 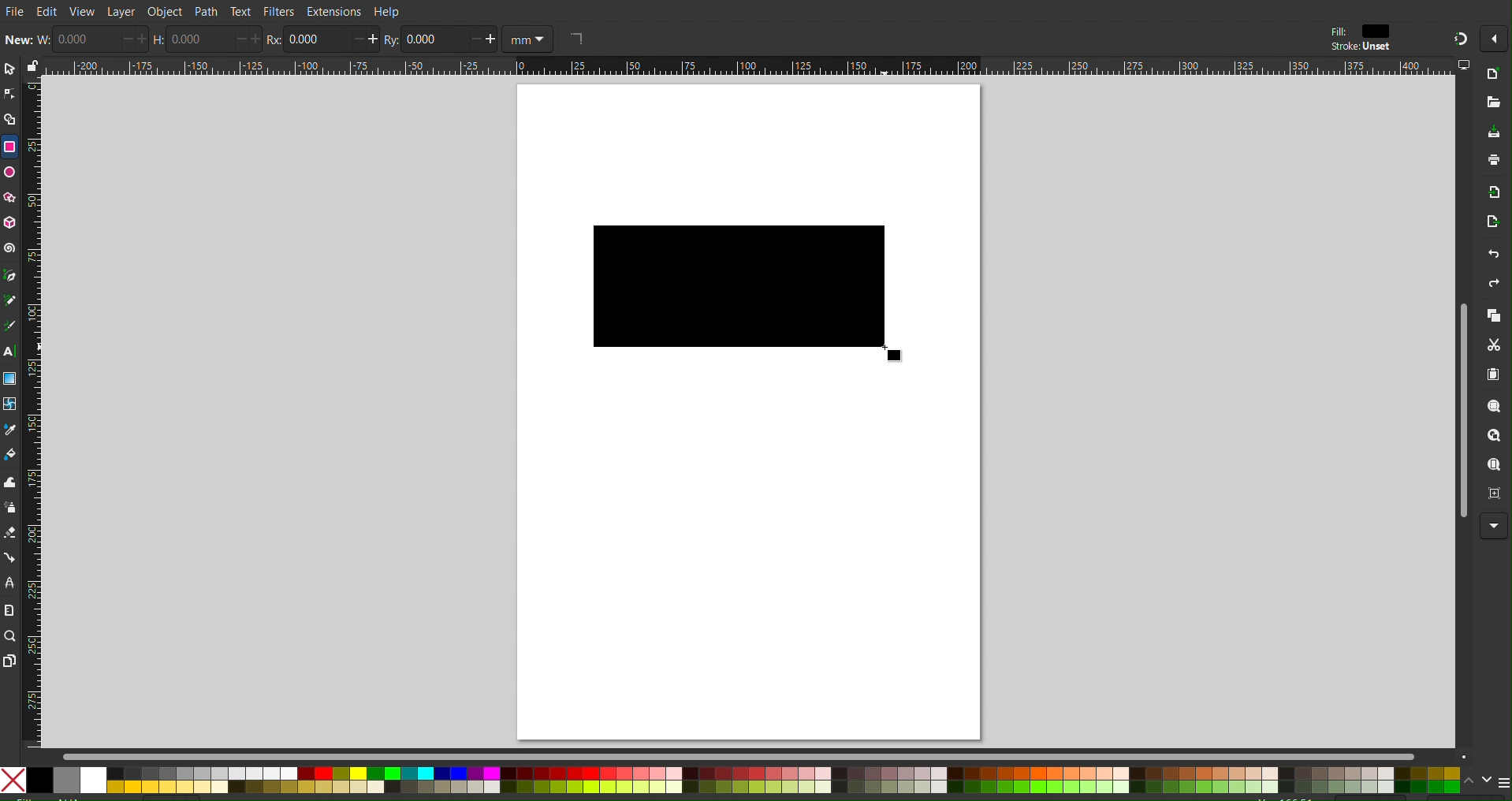 I want to click on increase/decrease, so click(x=136, y=39).